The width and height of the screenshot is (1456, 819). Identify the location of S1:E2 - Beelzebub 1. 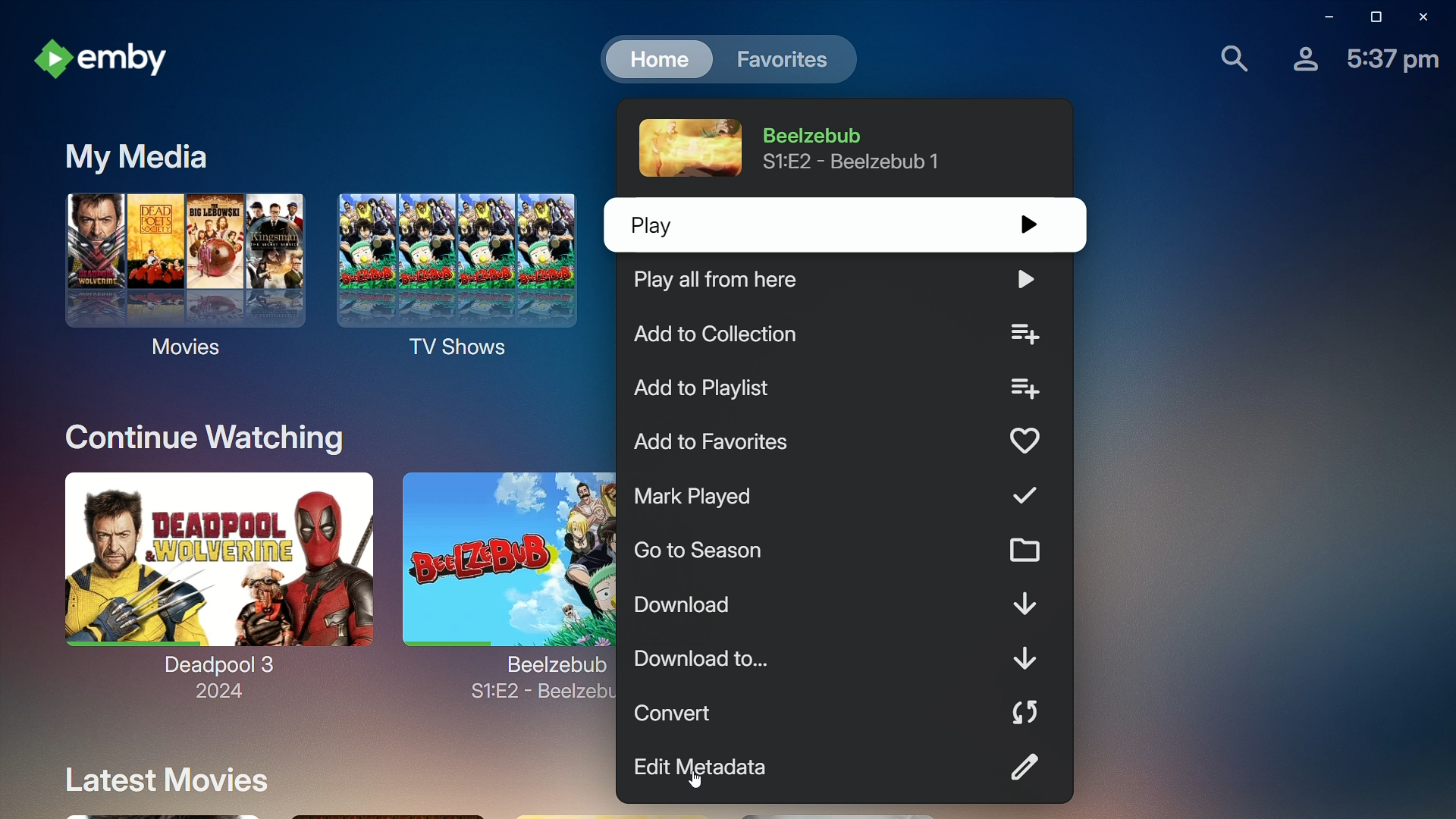
(532, 699).